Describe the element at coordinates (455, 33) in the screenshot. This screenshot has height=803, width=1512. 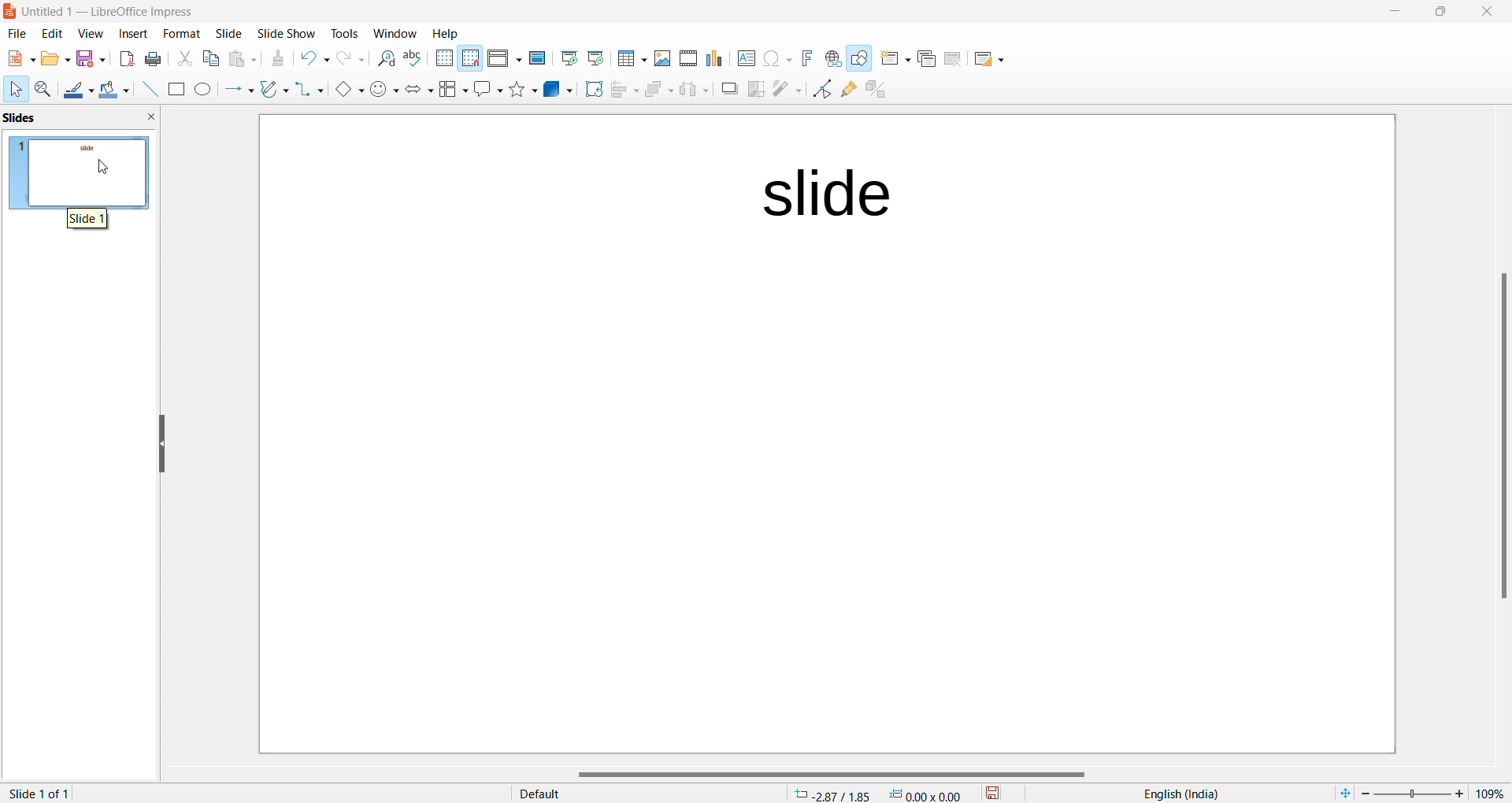
I see `Help` at that location.